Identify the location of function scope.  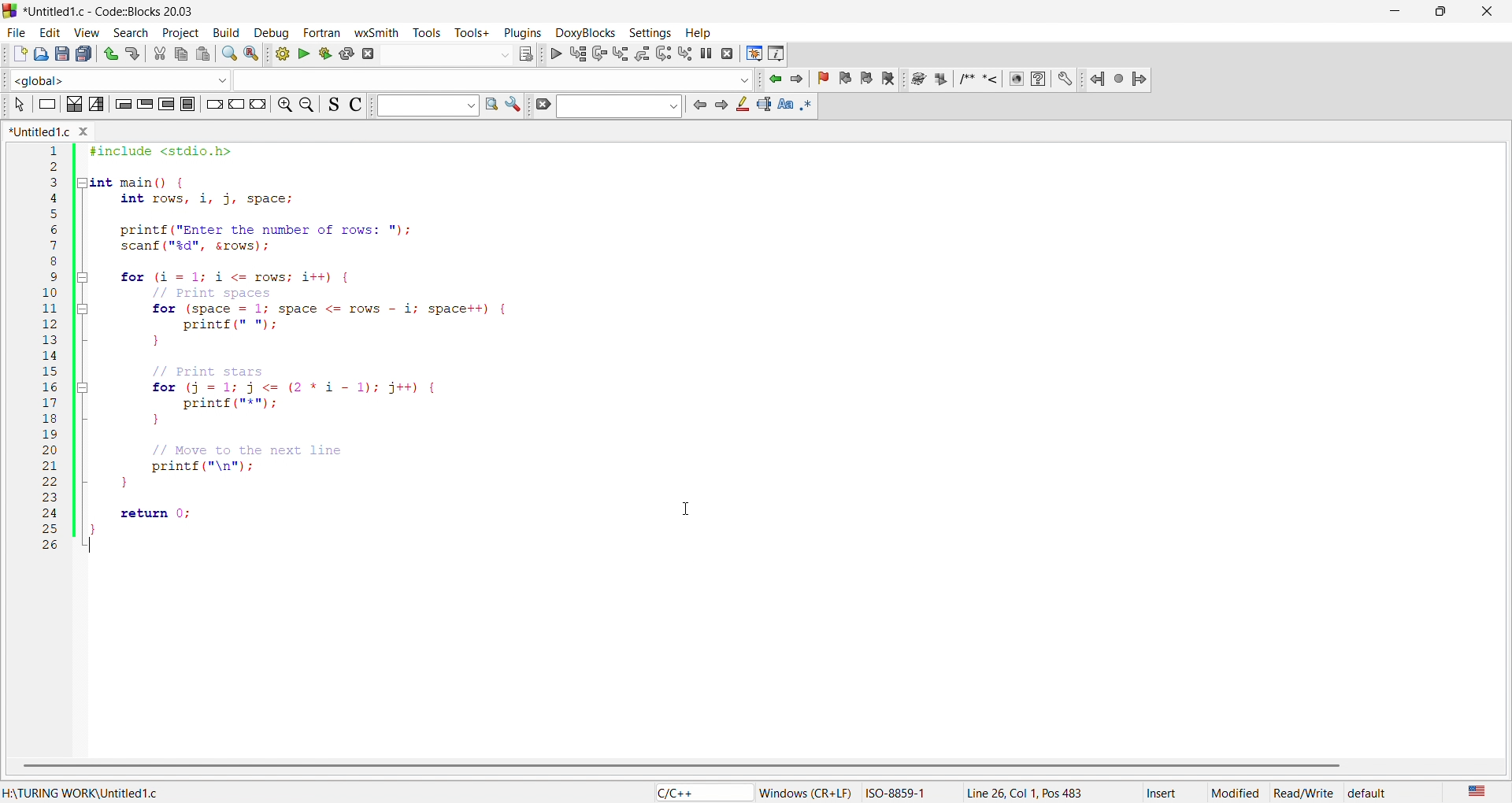
(117, 80).